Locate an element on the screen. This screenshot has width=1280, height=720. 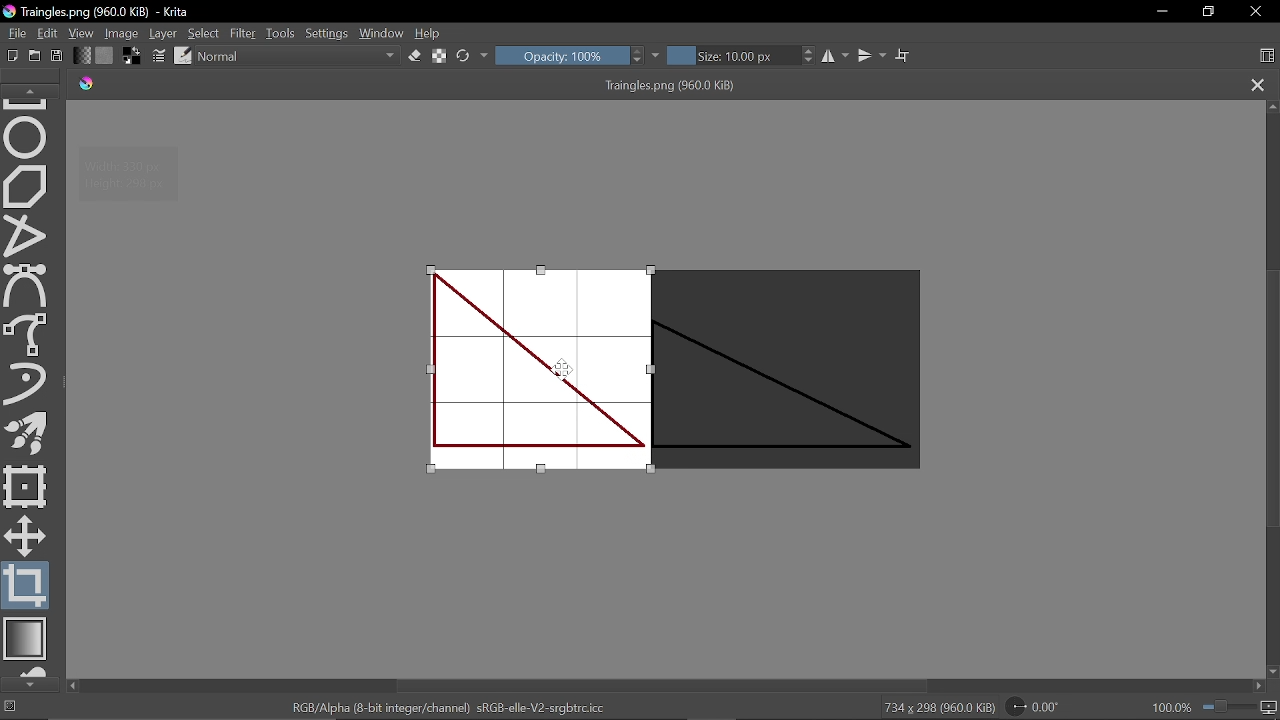
Edit is located at coordinates (49, 34).